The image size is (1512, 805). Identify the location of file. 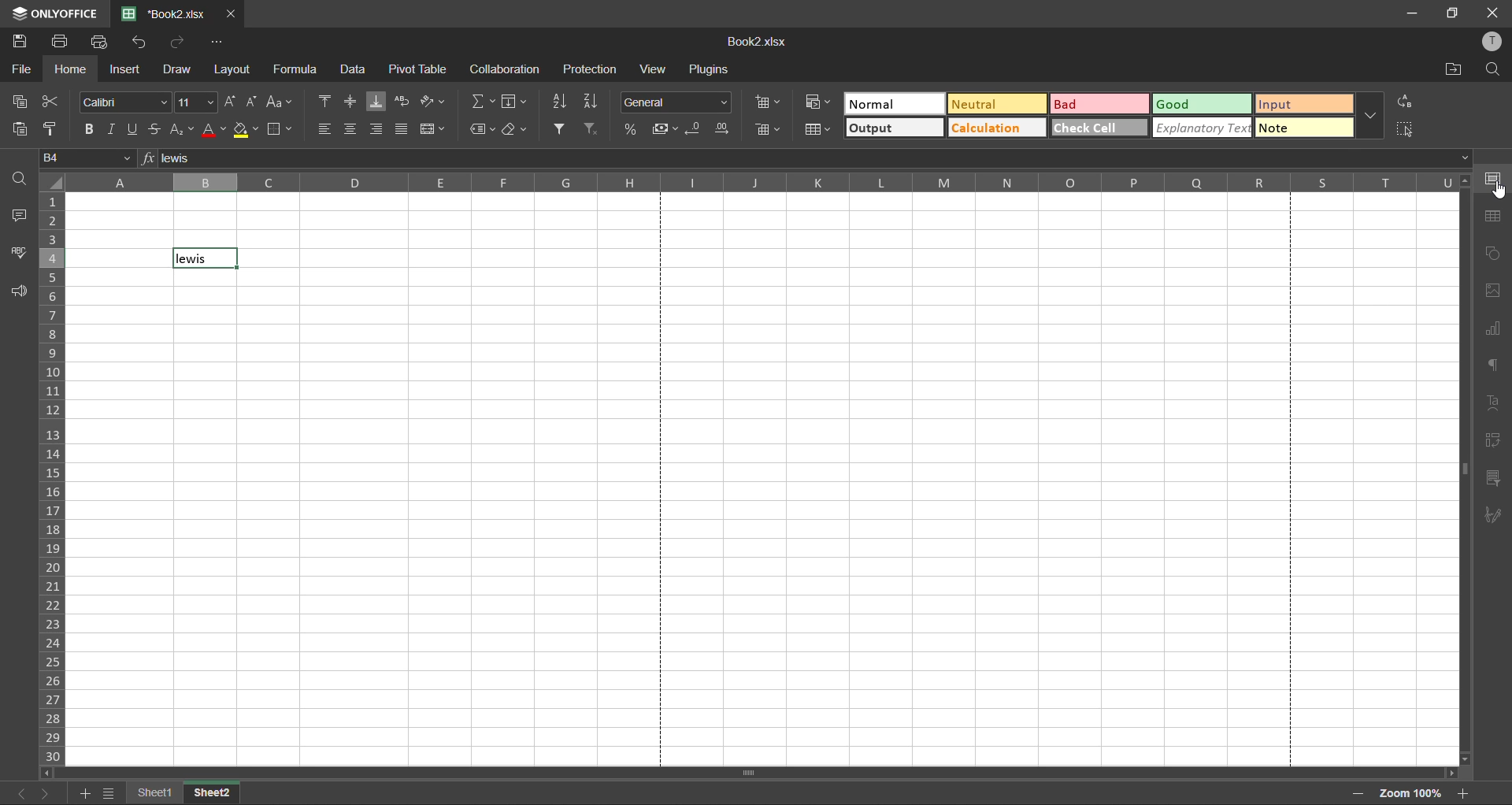
(22, 69).